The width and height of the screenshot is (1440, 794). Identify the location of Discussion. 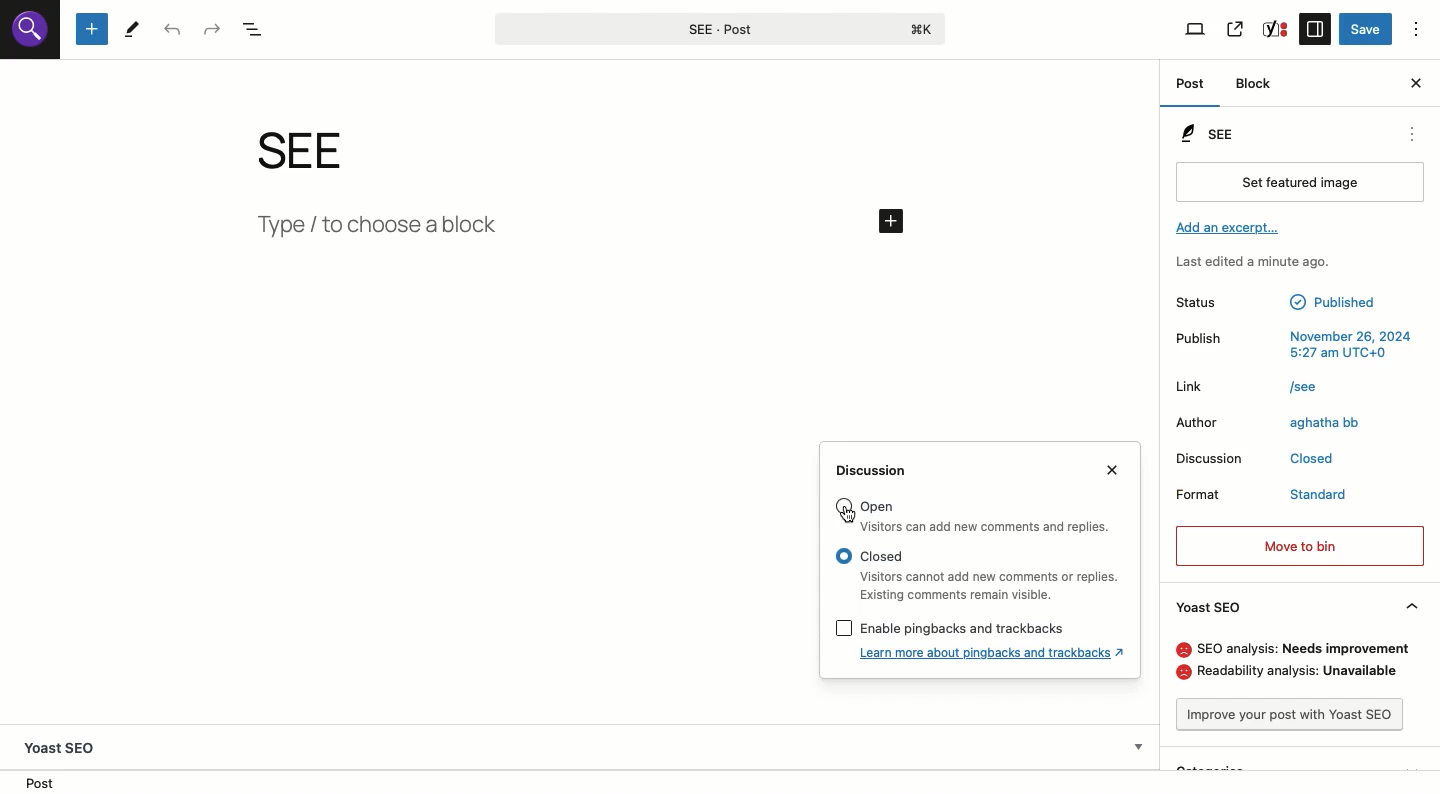
(881, 471).